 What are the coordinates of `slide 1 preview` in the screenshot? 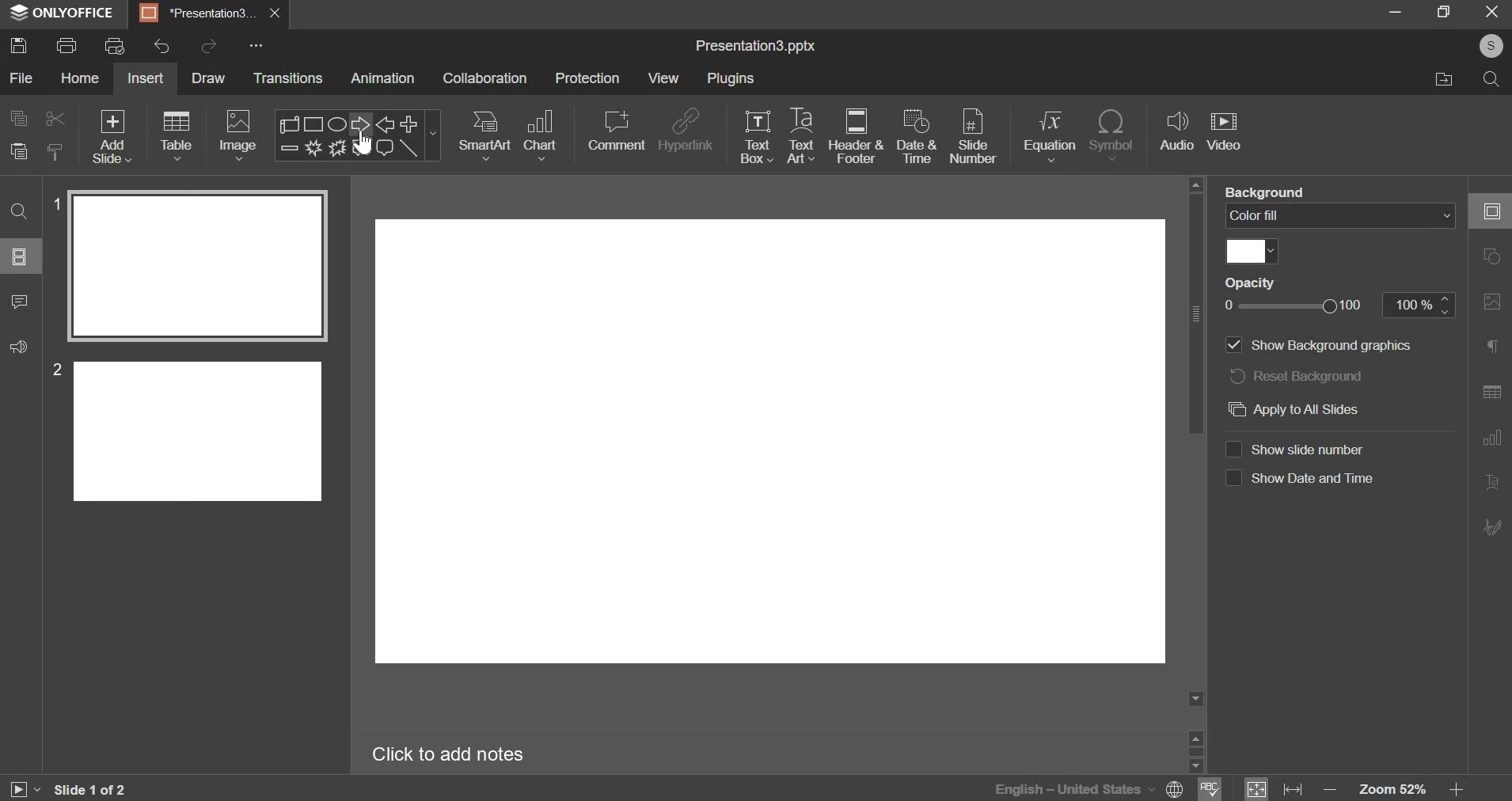 It's located at (196, 266).